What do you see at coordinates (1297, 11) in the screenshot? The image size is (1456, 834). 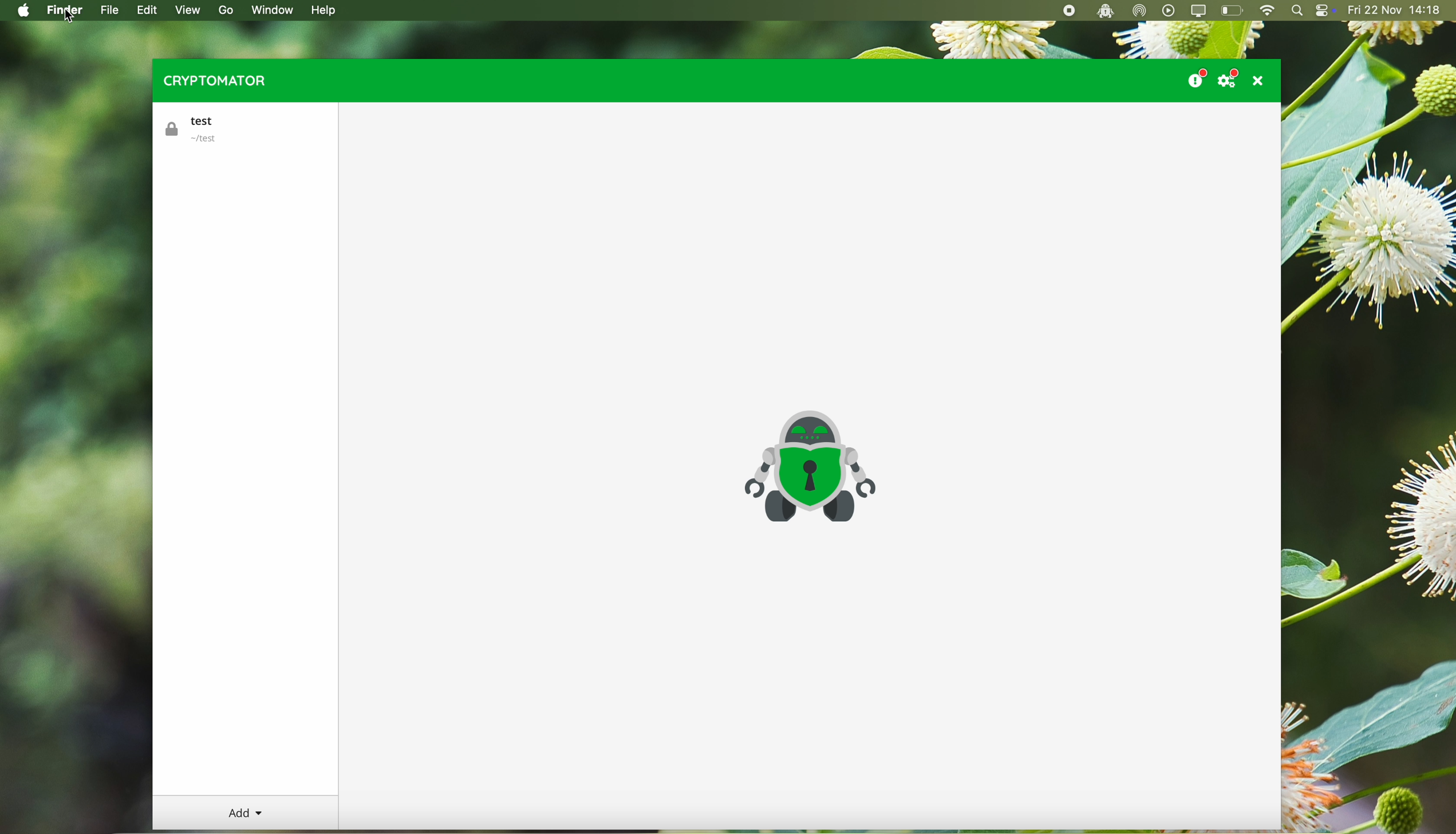 I see `spotlight search` at bounding box center [1297, 11].